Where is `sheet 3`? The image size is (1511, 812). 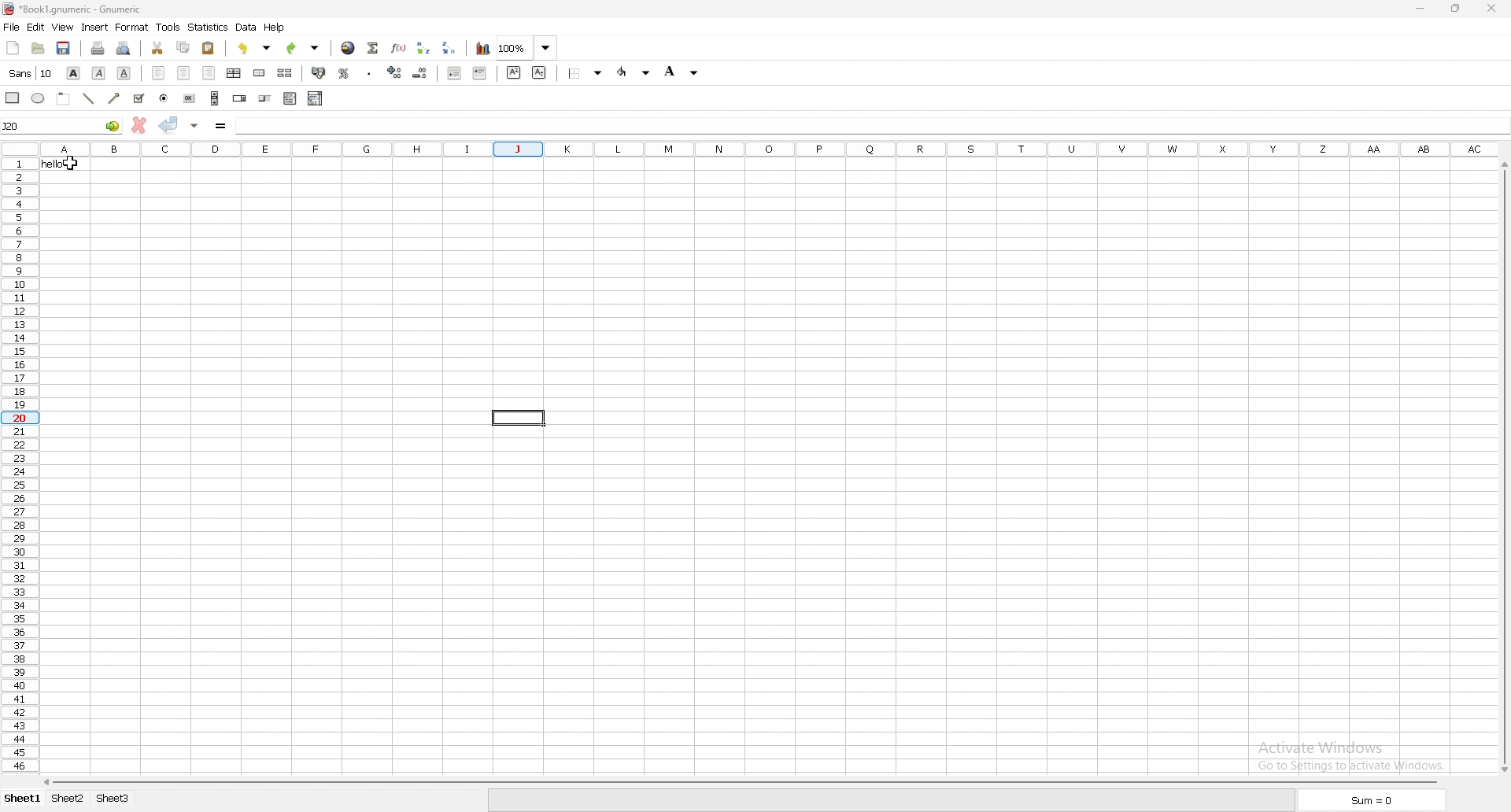
sheet 3 is located at coordinates (113, 799).